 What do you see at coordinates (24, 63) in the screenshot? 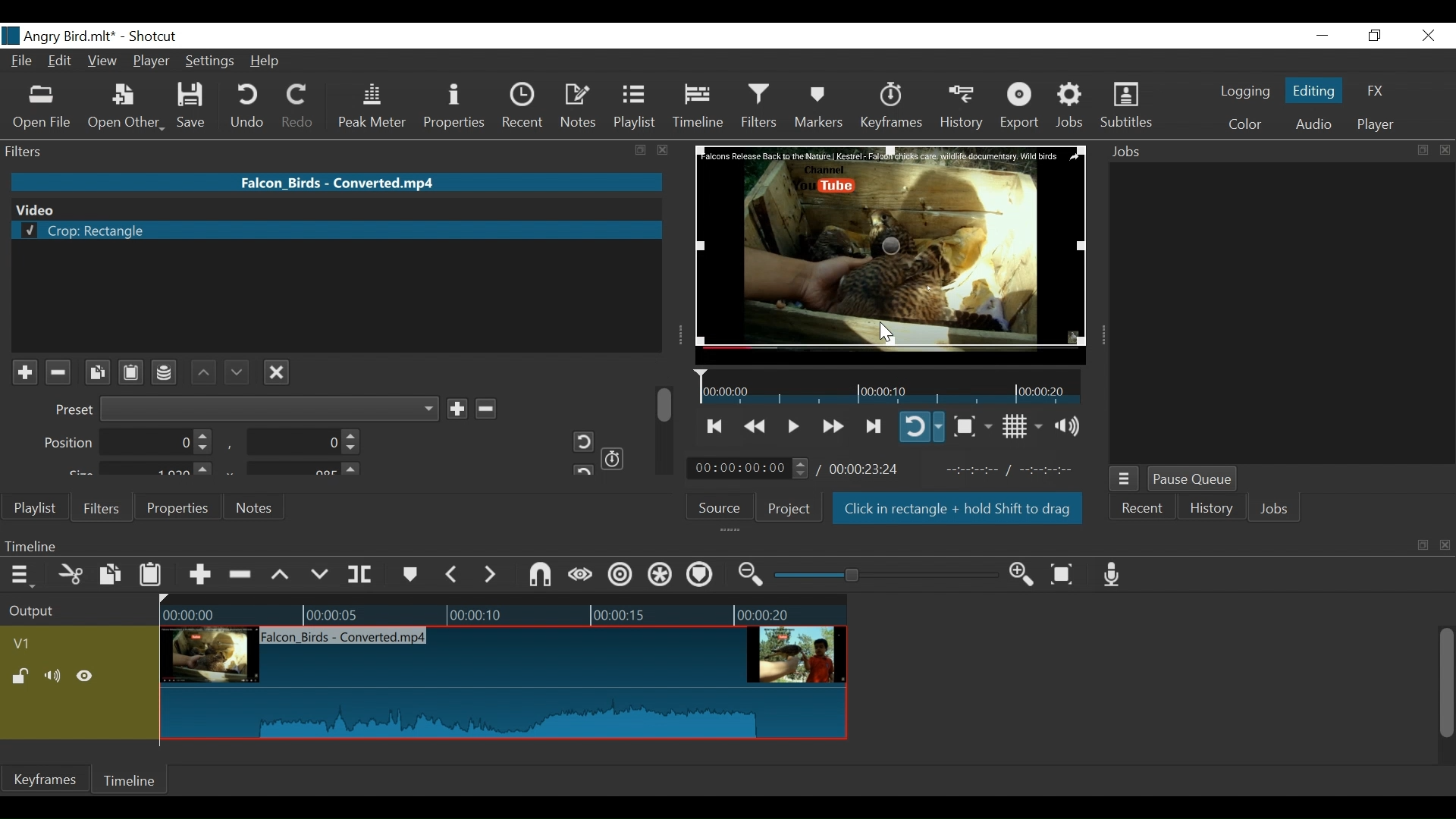
I see `File Name` at bounding box center [24, 63].